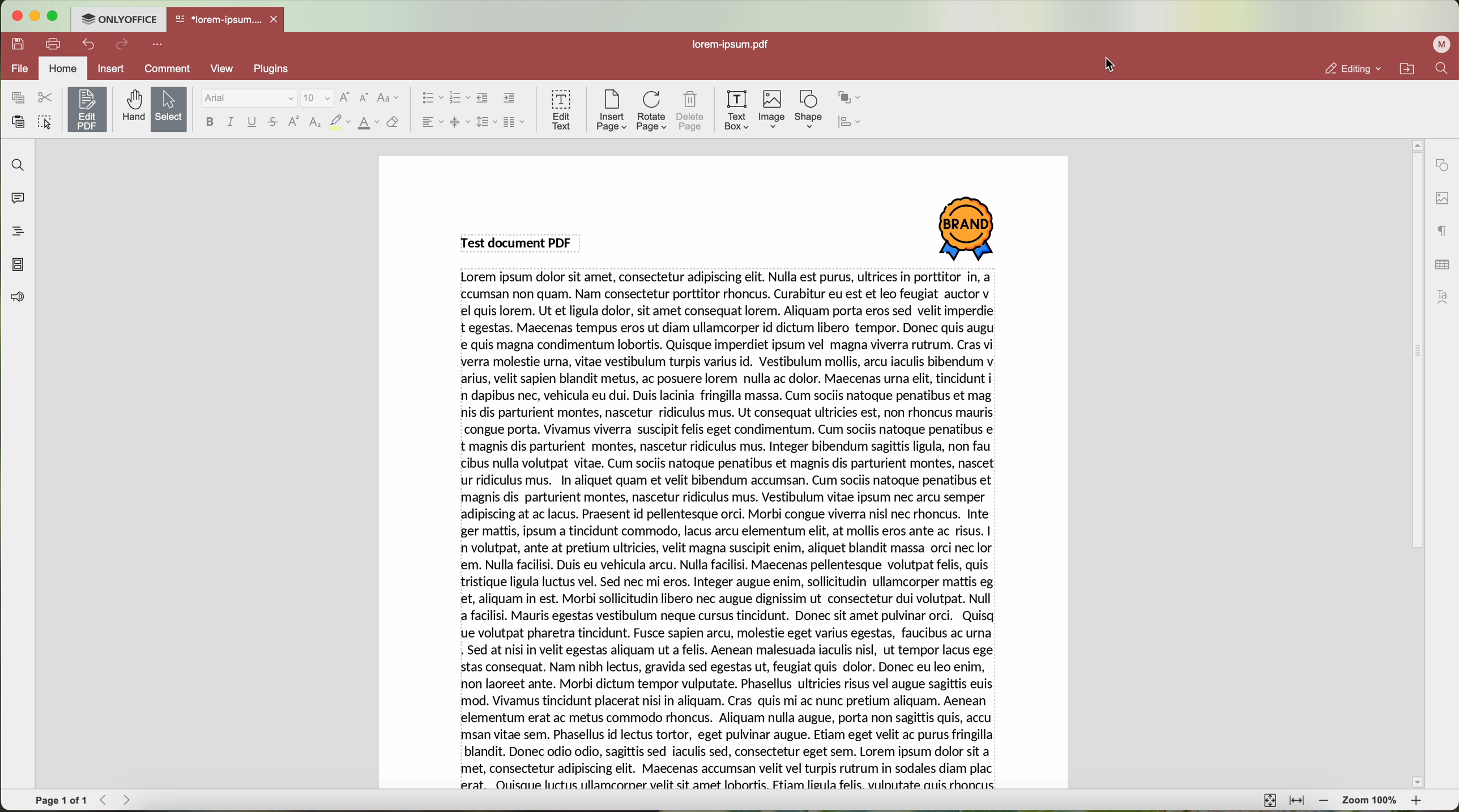 The image size is (1459, 812). Describe the element at coordinates (160, 43) in the screenshot. I see `more options` at that location.